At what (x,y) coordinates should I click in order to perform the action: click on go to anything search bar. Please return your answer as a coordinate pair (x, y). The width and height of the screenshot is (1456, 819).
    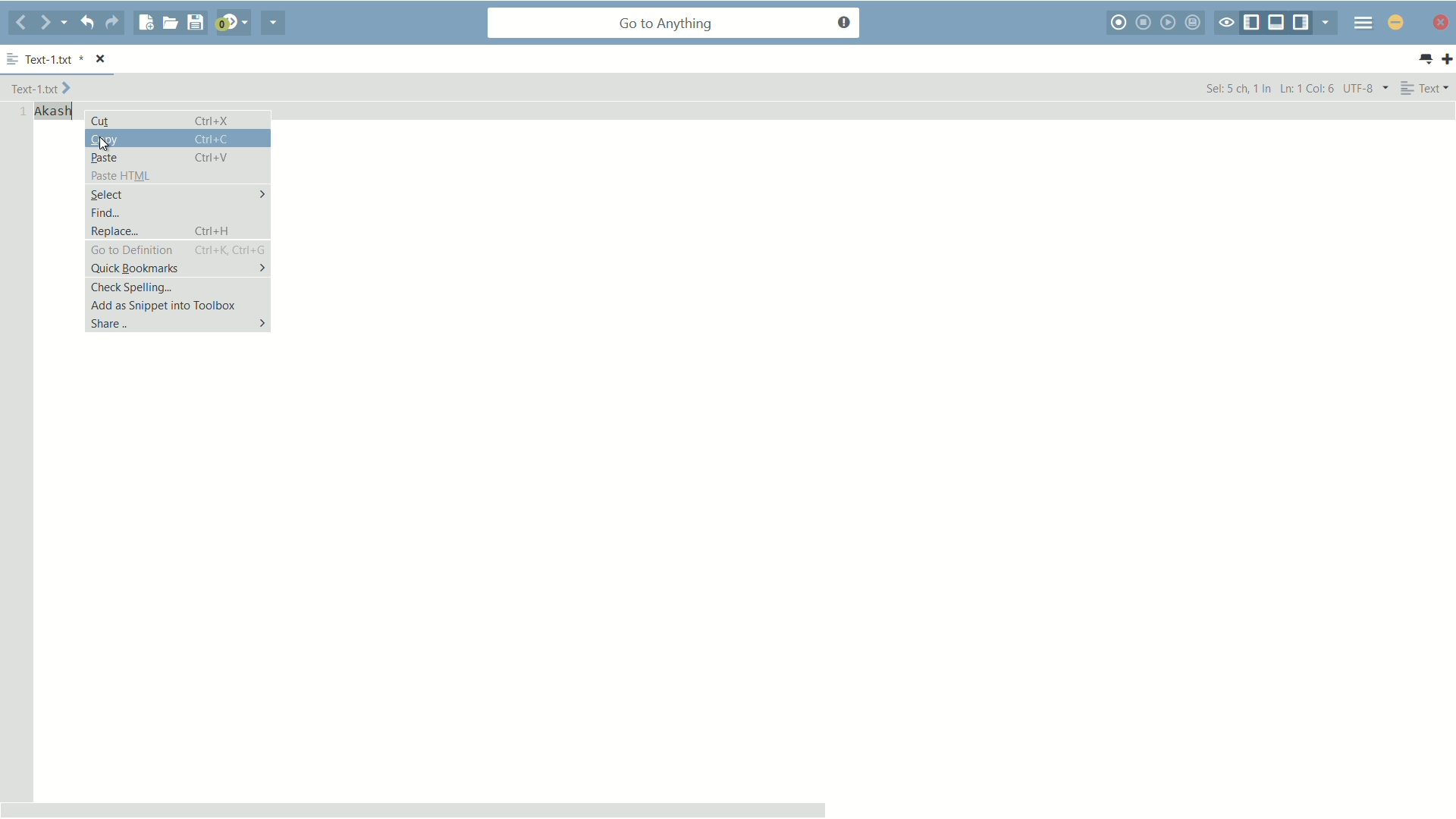
    Looking at the image, I should click on (674, 24).